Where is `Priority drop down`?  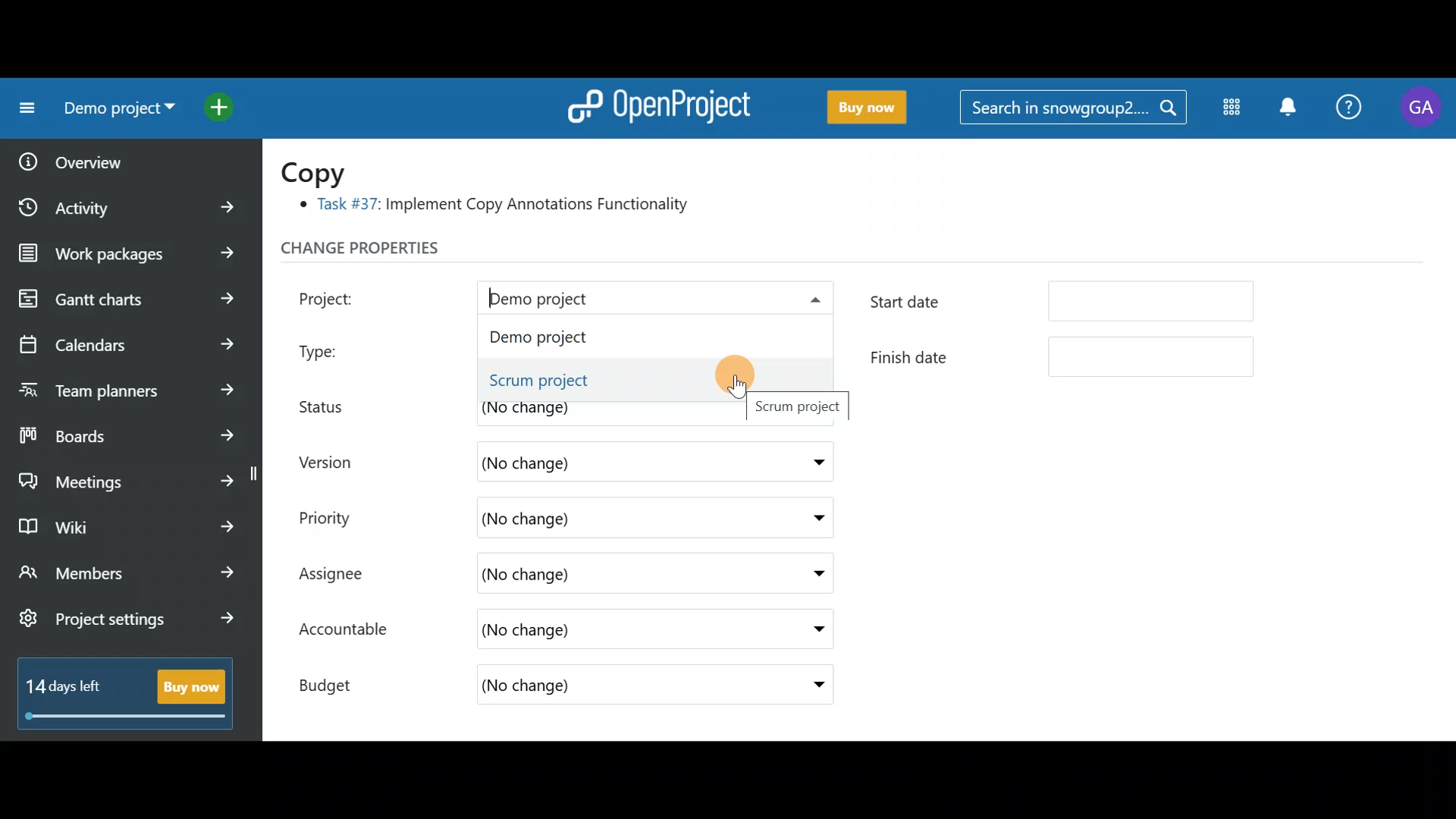 Priority drop down is located at coordinates (804, 516).